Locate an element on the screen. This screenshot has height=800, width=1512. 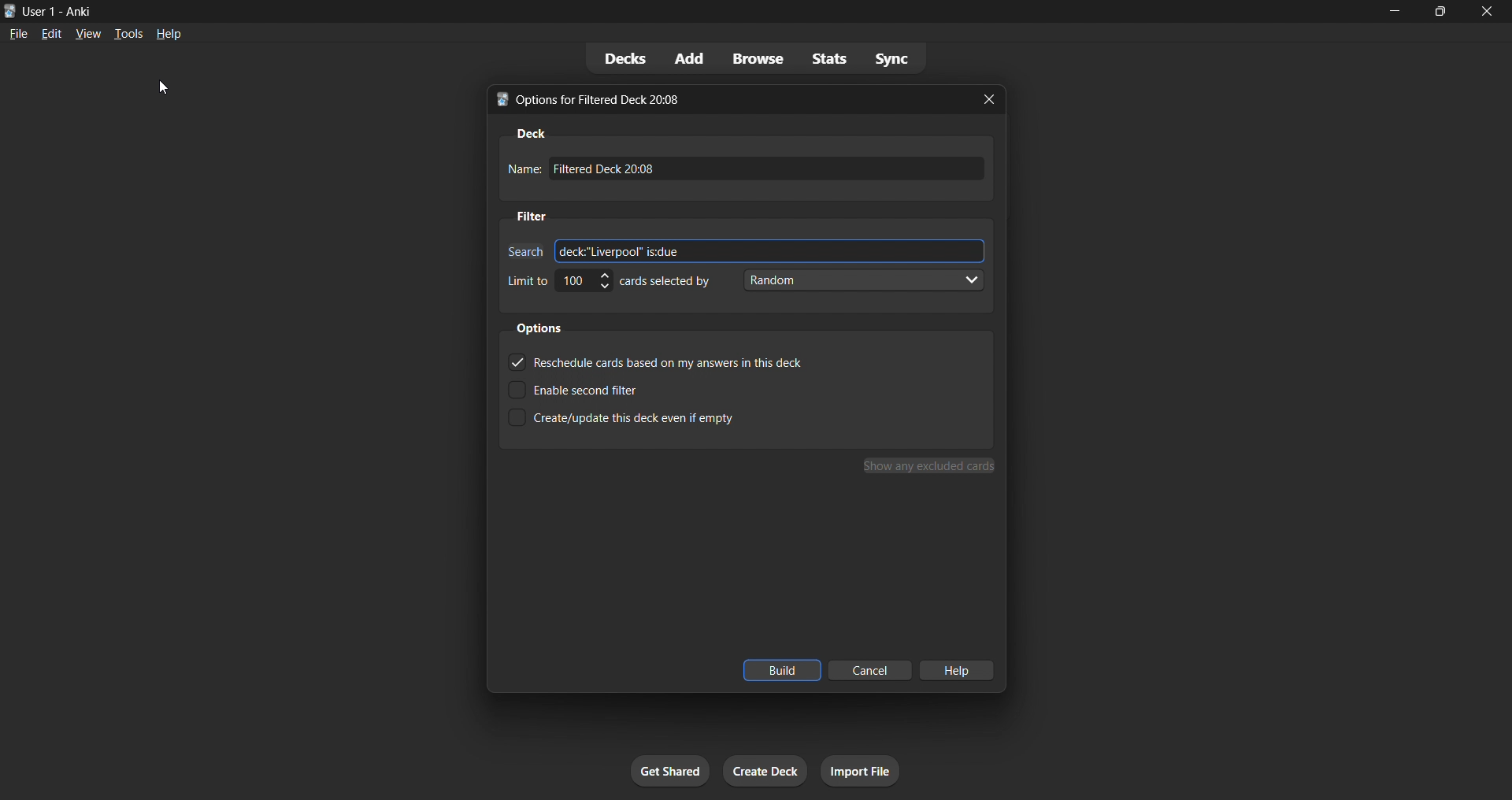
name is located at coordinates (523, 168).